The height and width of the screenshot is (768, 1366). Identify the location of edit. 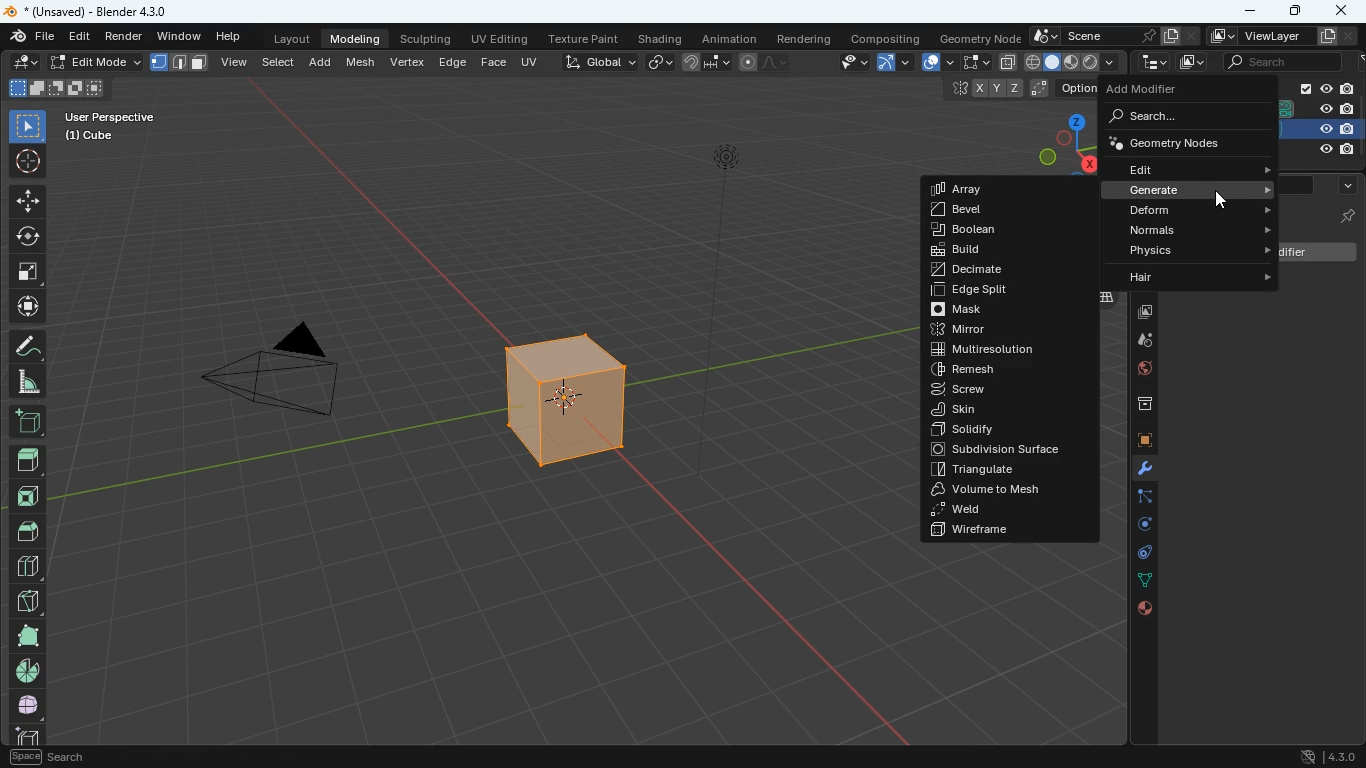
(79, 36).